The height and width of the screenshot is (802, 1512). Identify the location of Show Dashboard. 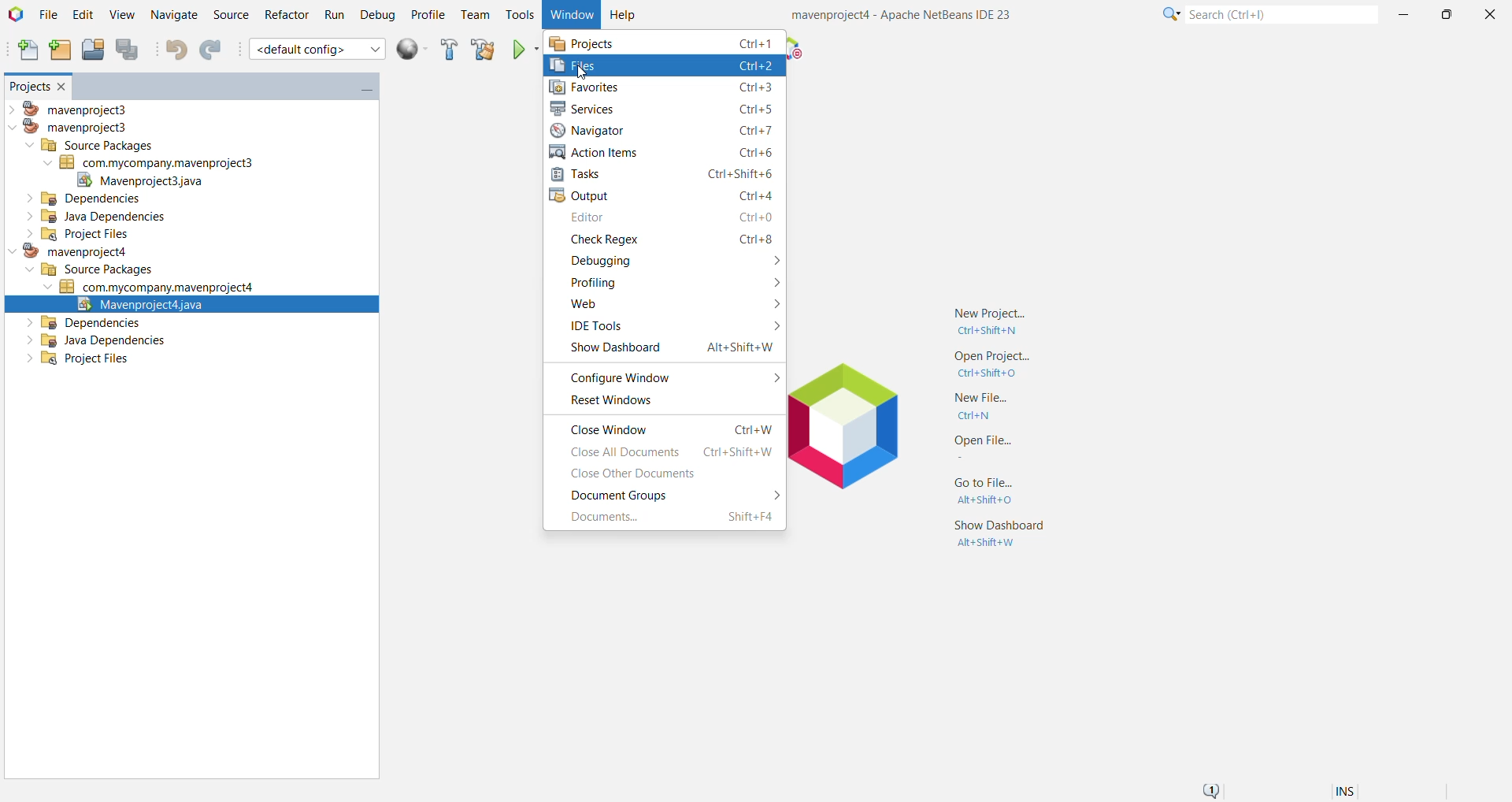
(667, 348).